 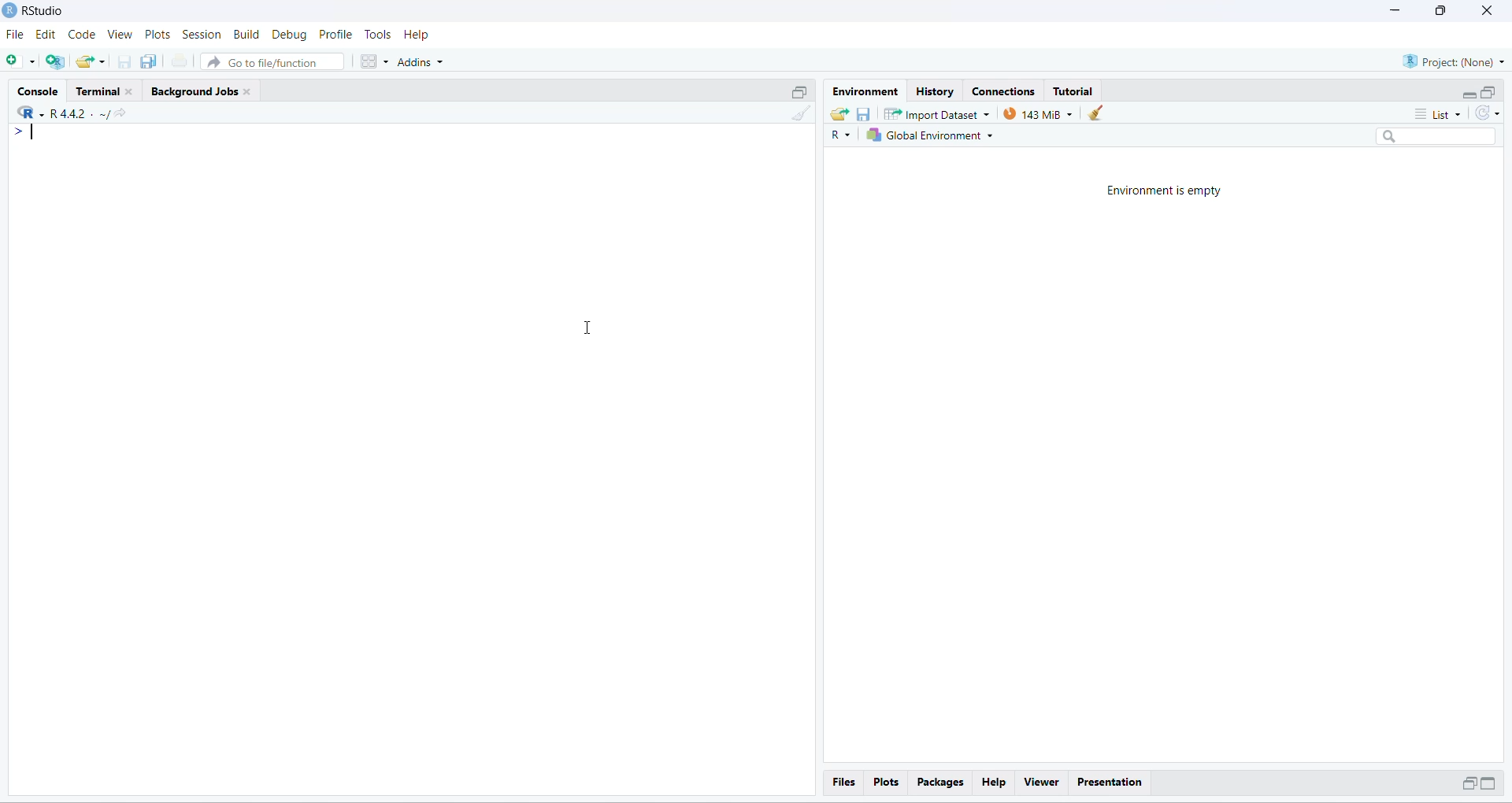 I want to click on view, so click(x=120, y=34).